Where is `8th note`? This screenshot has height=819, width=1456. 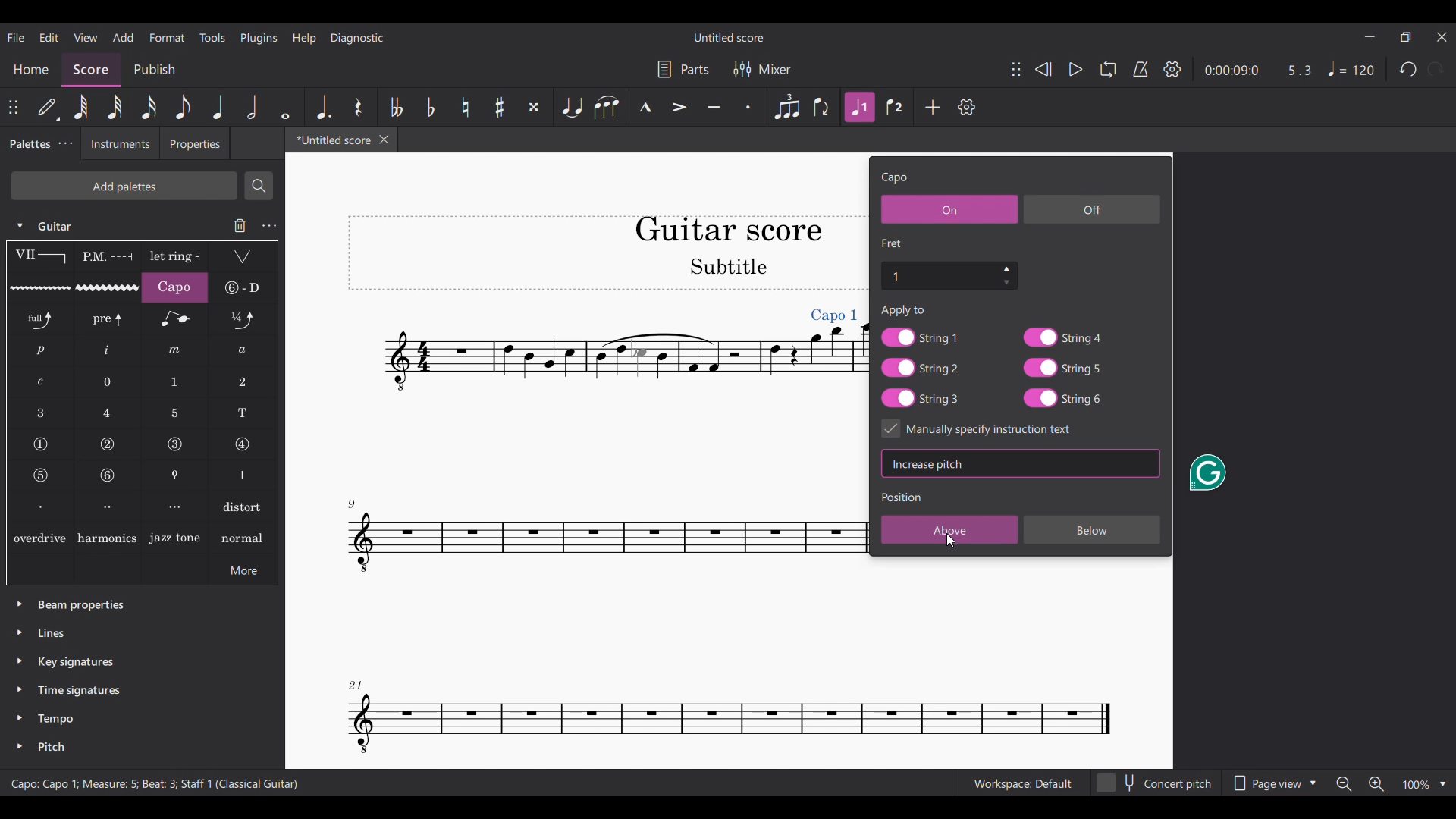
8th note is located at coordinates (183, 107).